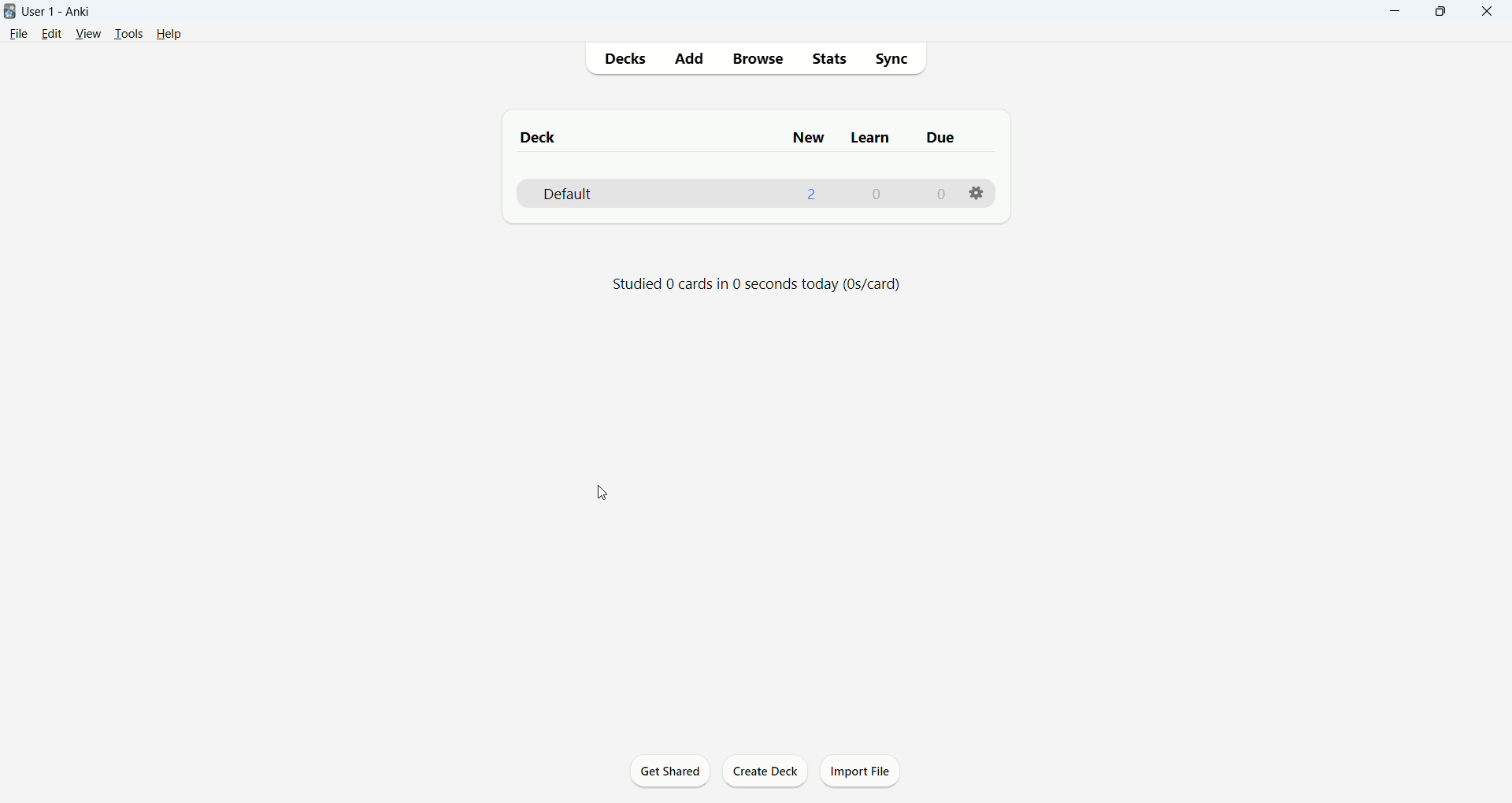 This screenshot has height=803, width=1512. I want to click on sync, so click(894, 60).